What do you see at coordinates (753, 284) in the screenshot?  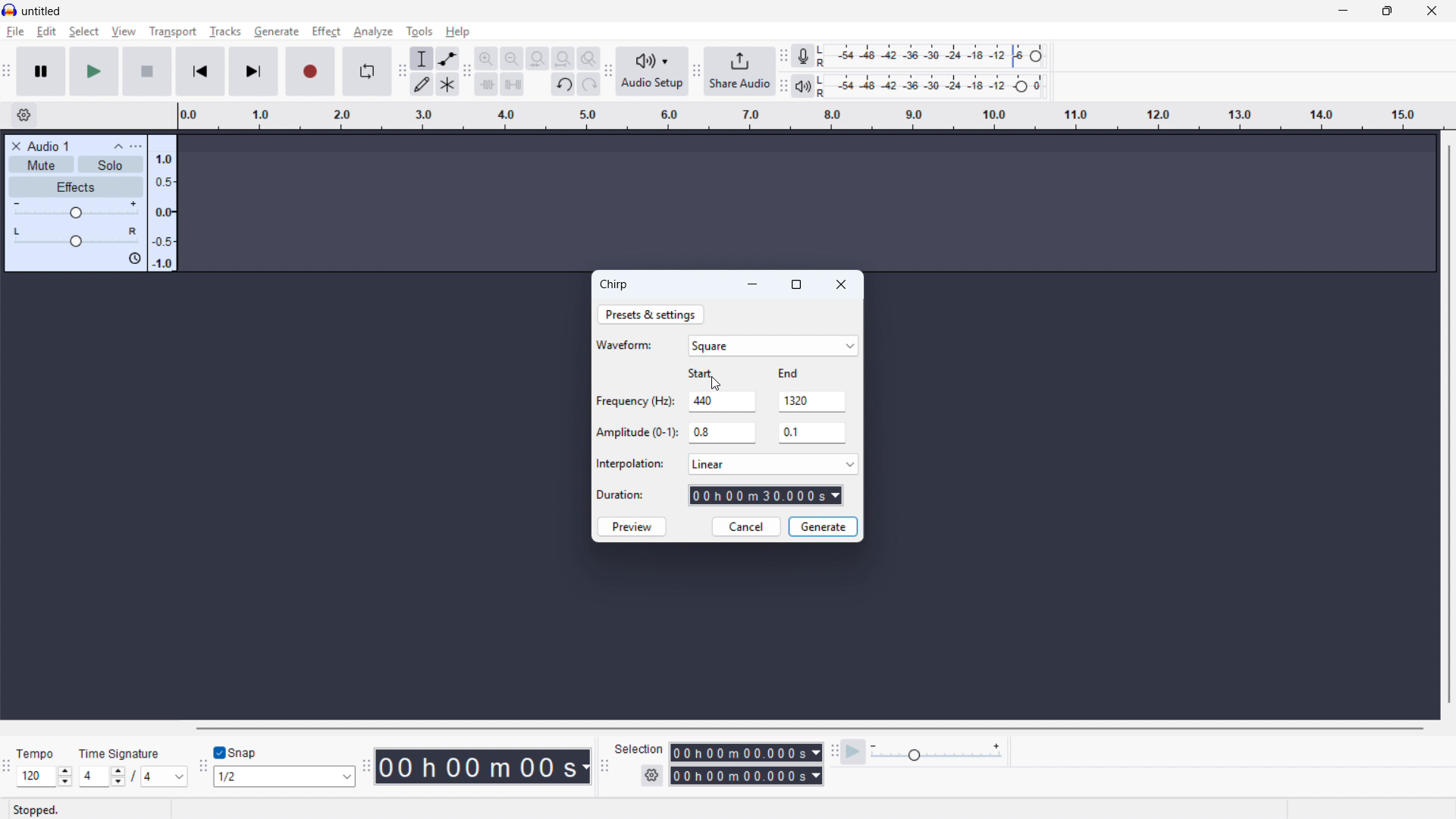 I see `minimise ` at bounding box center [753, 284].